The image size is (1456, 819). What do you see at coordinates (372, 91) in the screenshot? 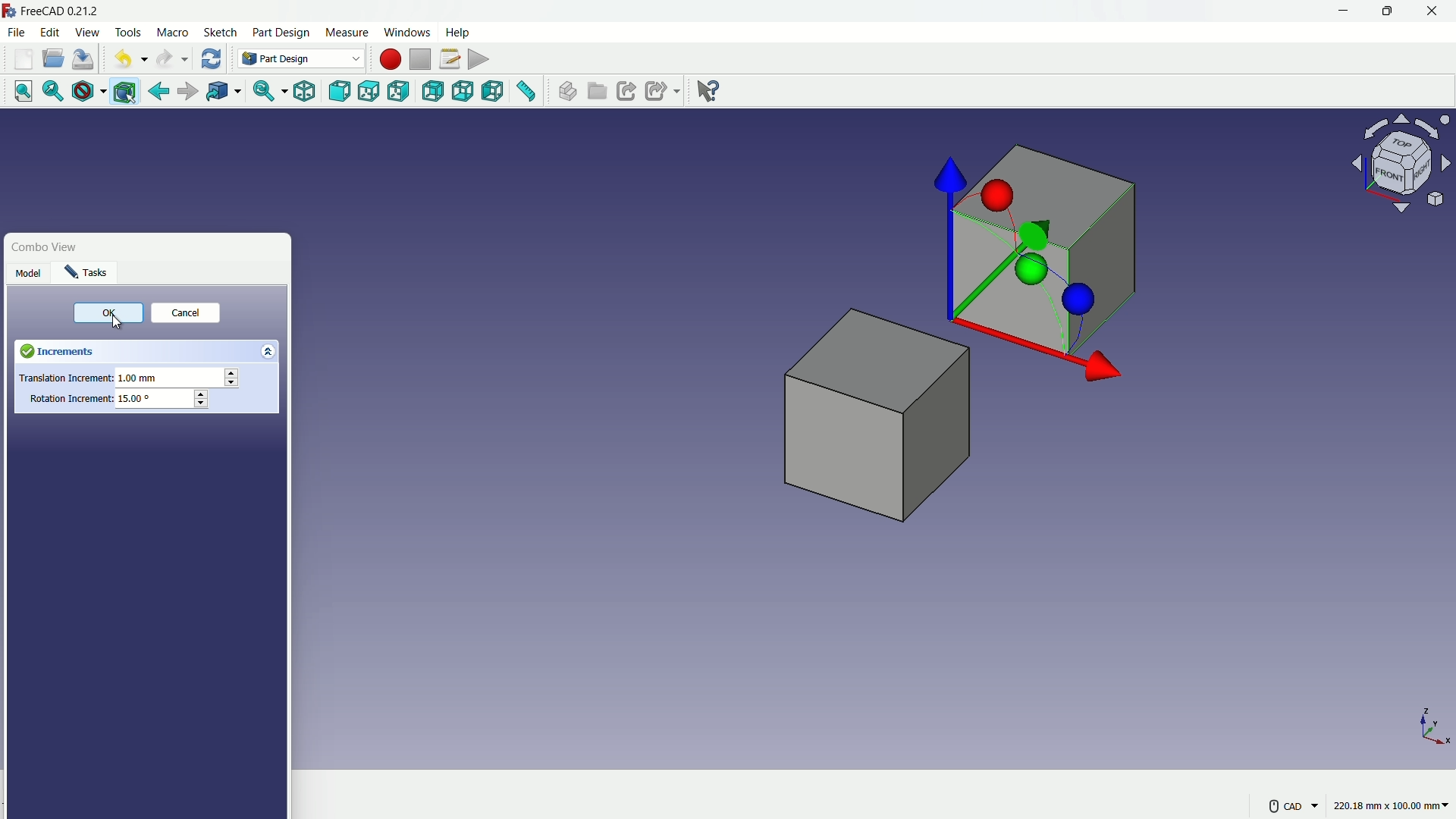
I see `top view` at bounding box center [372, 91].